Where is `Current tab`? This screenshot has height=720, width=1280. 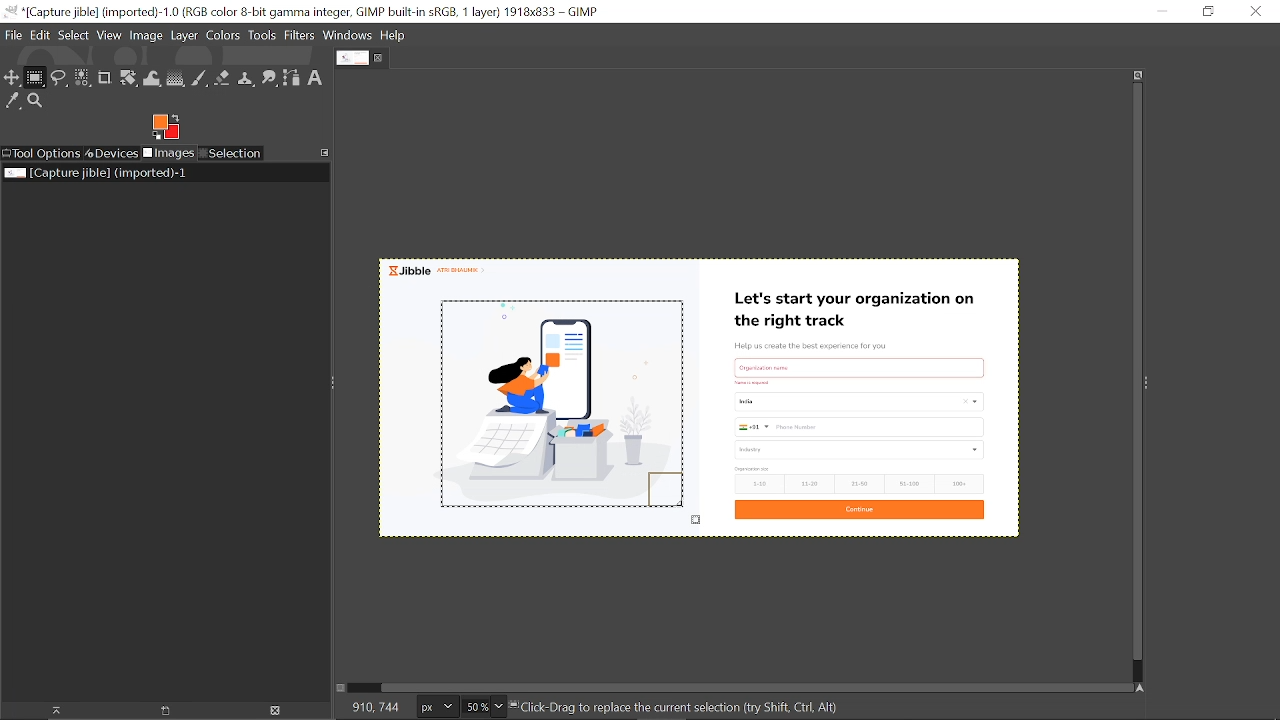 Current tab is located at coordinates (351, 59).